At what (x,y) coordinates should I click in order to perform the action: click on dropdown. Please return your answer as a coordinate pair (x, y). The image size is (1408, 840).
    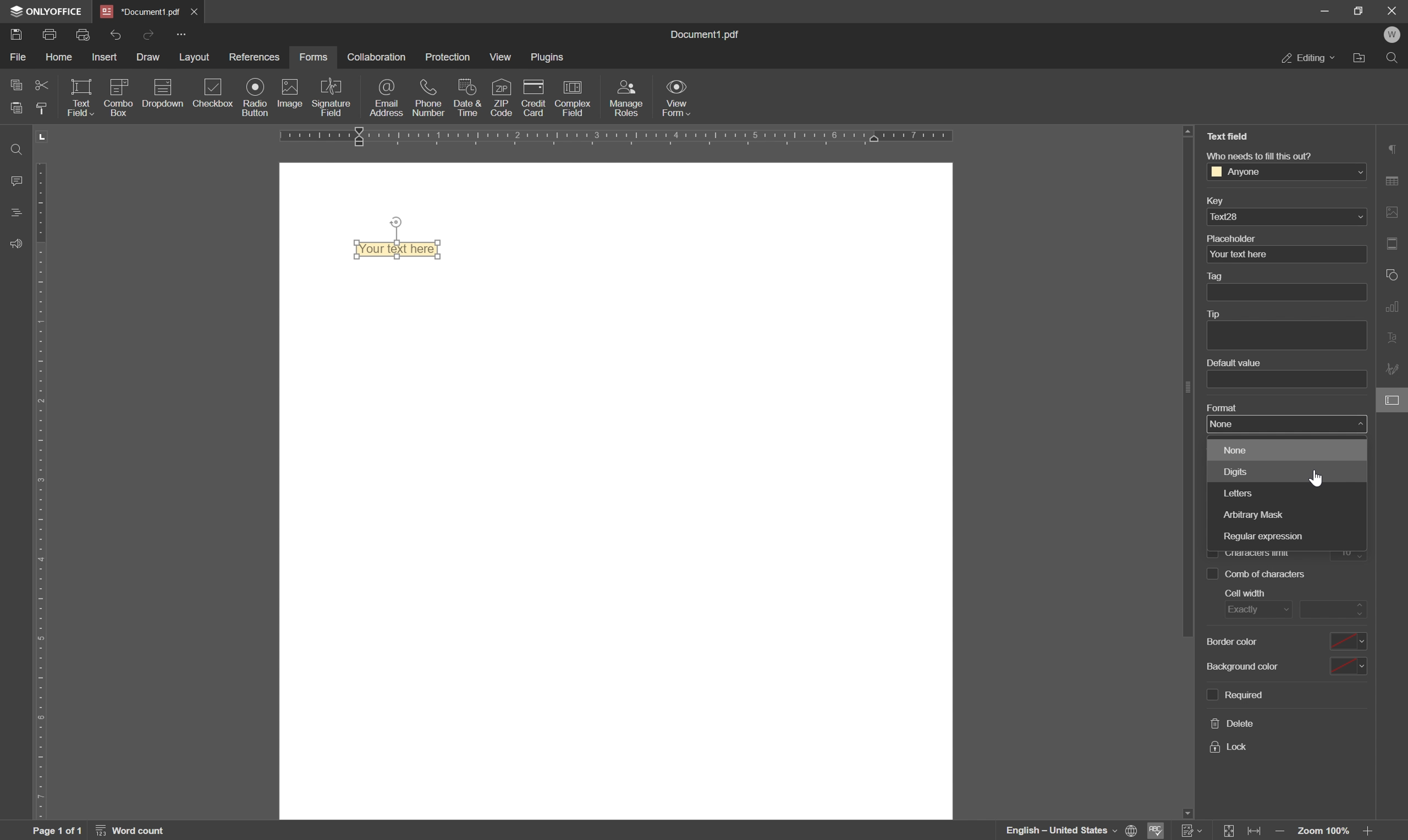
    Looking at the image, I should click on (162, 112).